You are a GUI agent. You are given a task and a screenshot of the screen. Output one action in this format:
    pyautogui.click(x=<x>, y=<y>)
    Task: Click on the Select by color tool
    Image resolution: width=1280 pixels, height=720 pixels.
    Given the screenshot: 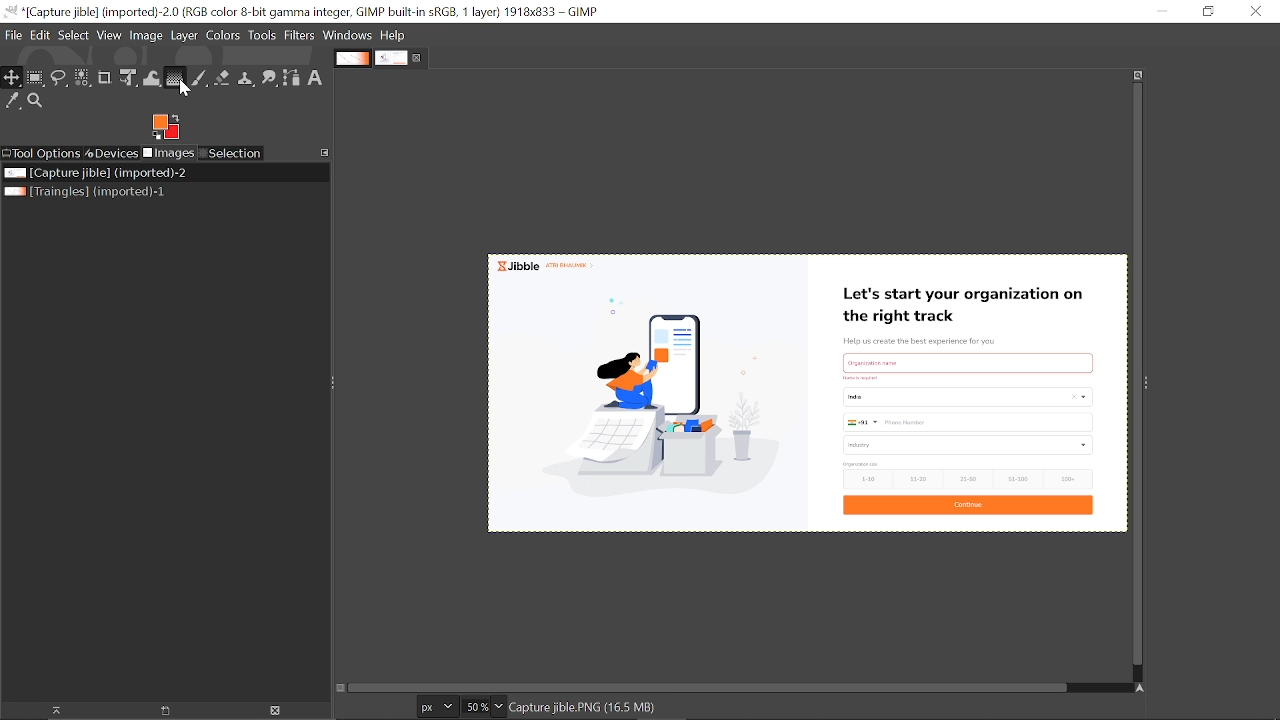 What is the action you would take?
    pyautogui.click(x=83, y=77)
    